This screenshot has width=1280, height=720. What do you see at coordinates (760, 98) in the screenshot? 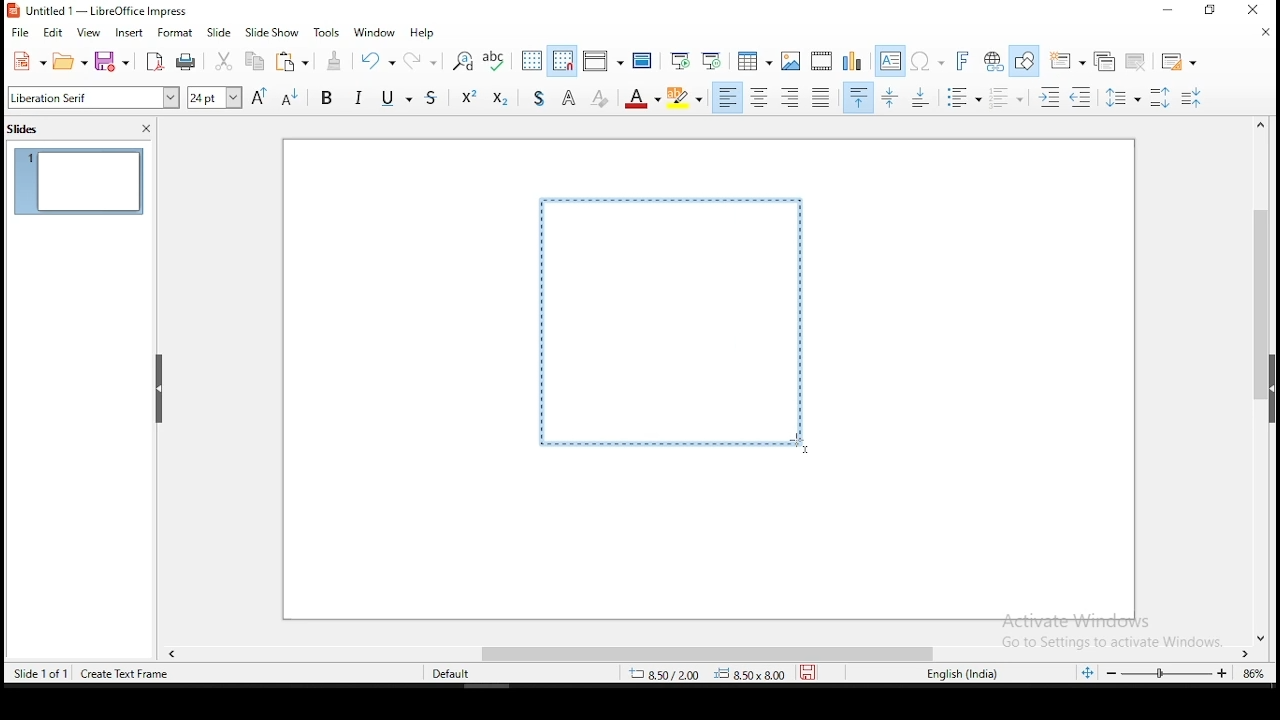
I see `align center` at bounding box center [760, 98].